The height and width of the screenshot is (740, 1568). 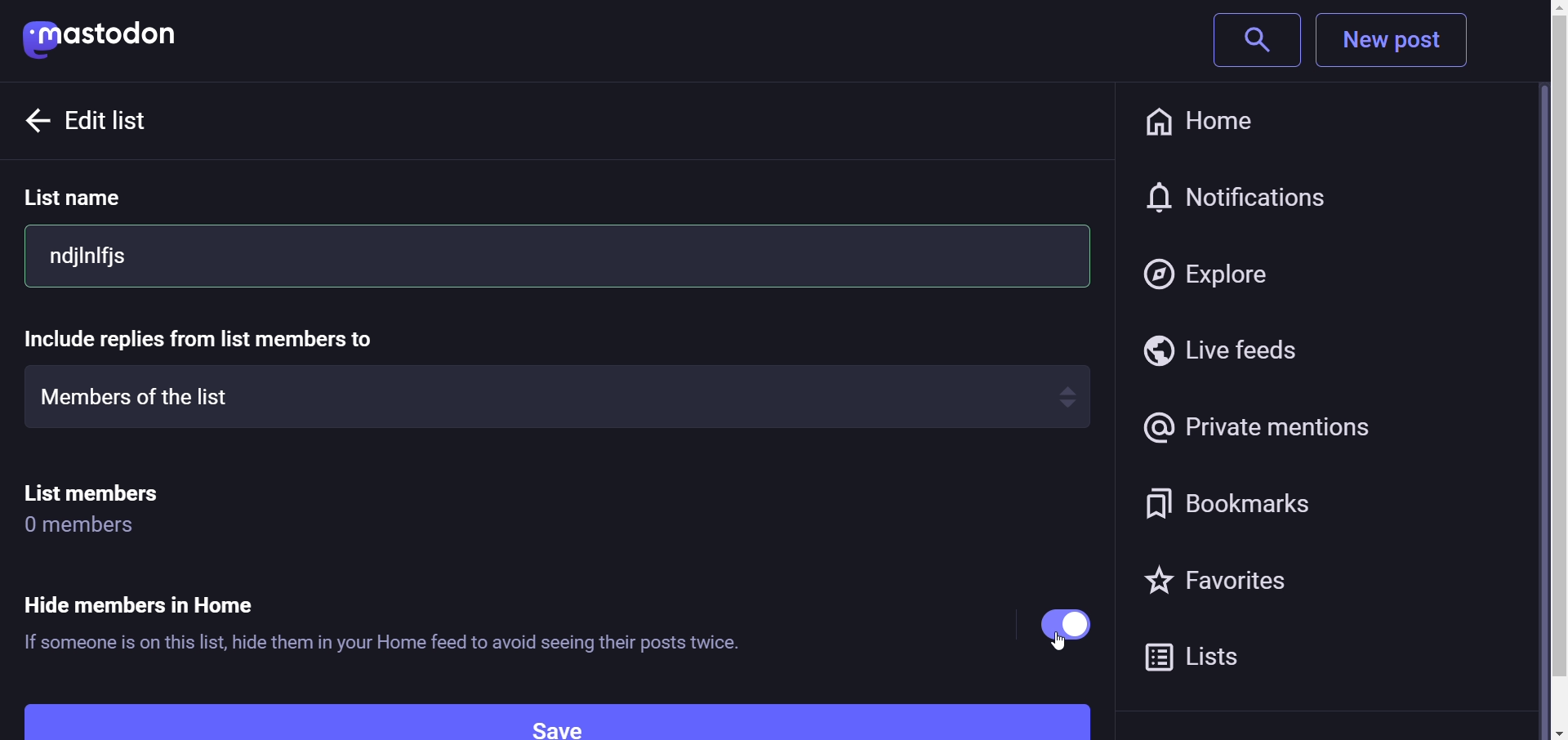 What do you see at coordinates (34, 118) in the screenshot?
I see `back` at bounding box center [34, 118].